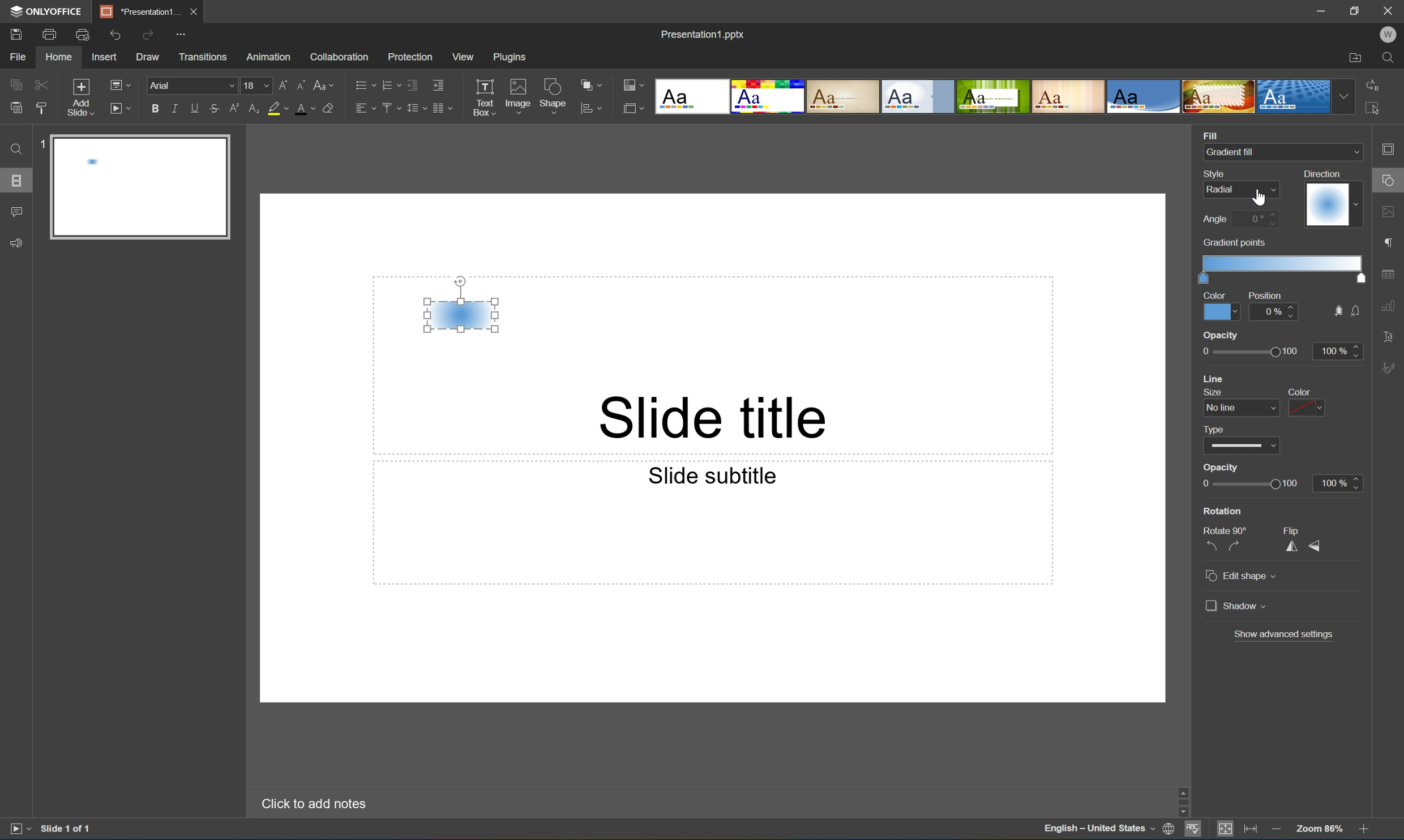 The height and width of the screenshot is (840, 1404). Describe the element at coordinates (1217, 378) in the screenshot. I see `line` at that location.